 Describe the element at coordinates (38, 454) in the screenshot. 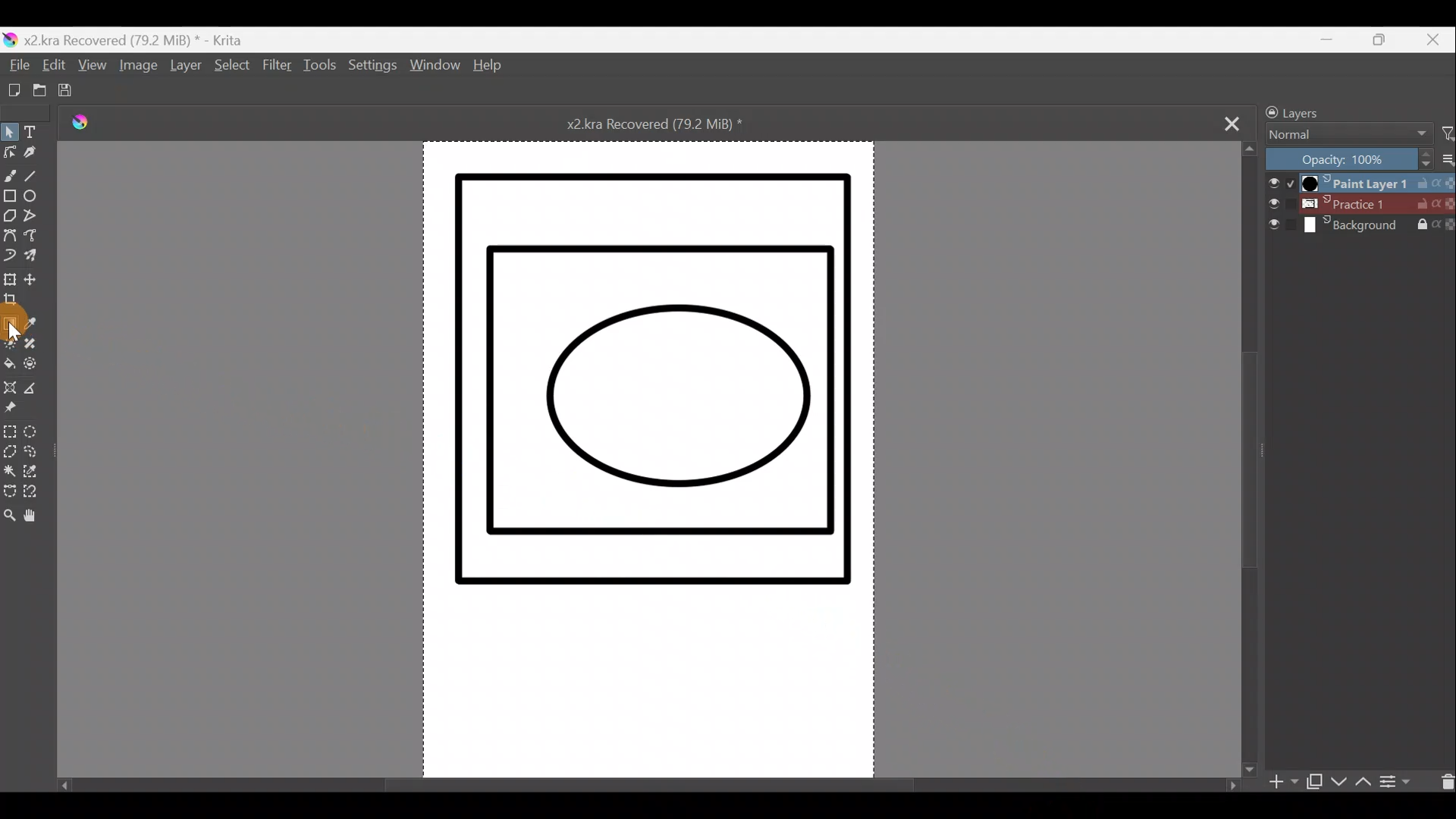

I see `Freehand selection tool` at that location.